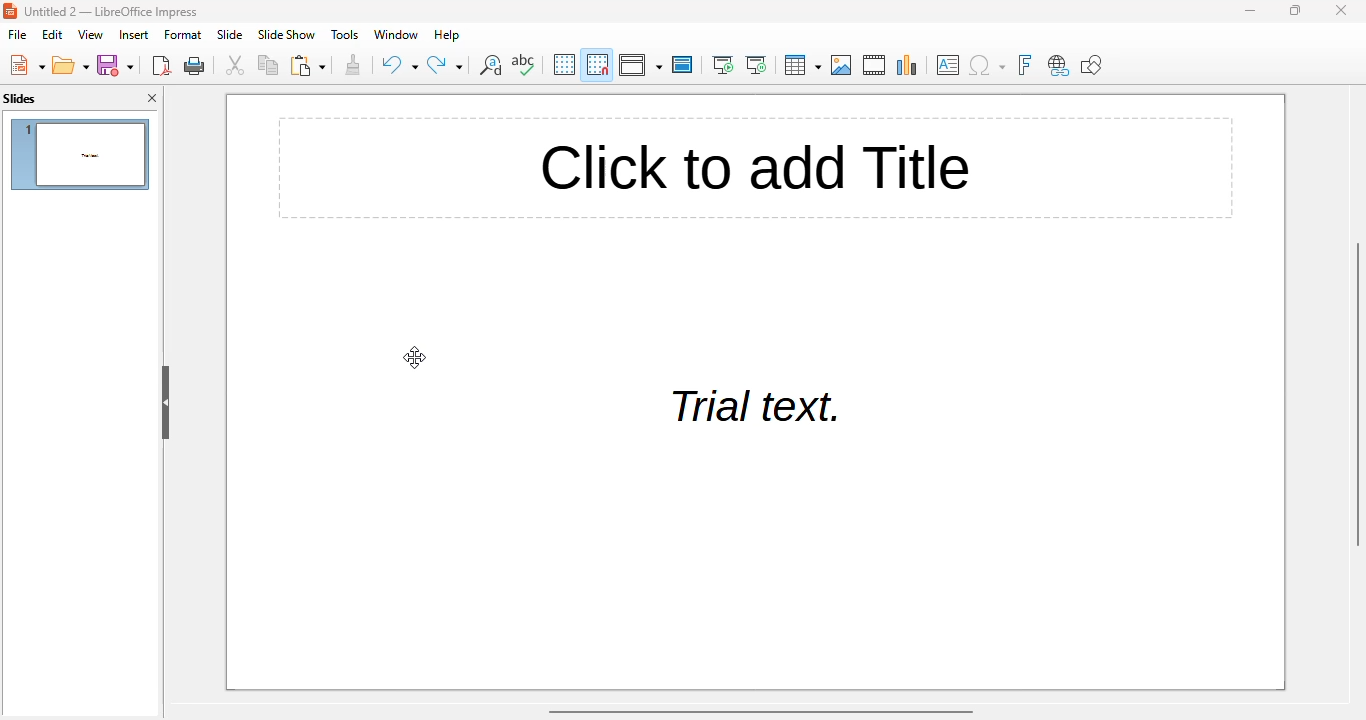  Describe the element at coordinates (115, 12) in the screenshot. I see `Untitled 2 — LibreOffice Impress` at that location.